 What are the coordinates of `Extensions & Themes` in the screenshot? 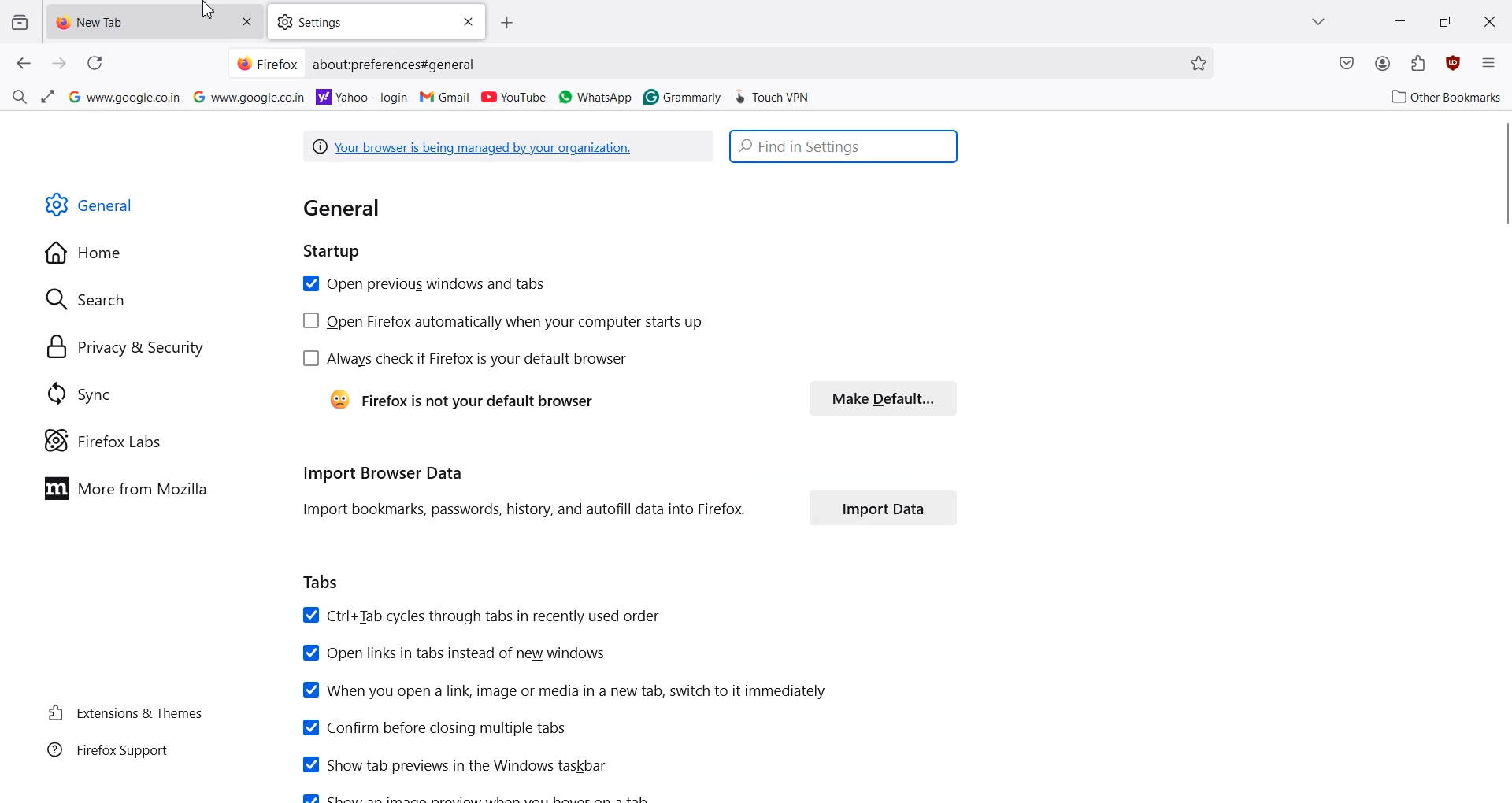 It's located at (125, 712).